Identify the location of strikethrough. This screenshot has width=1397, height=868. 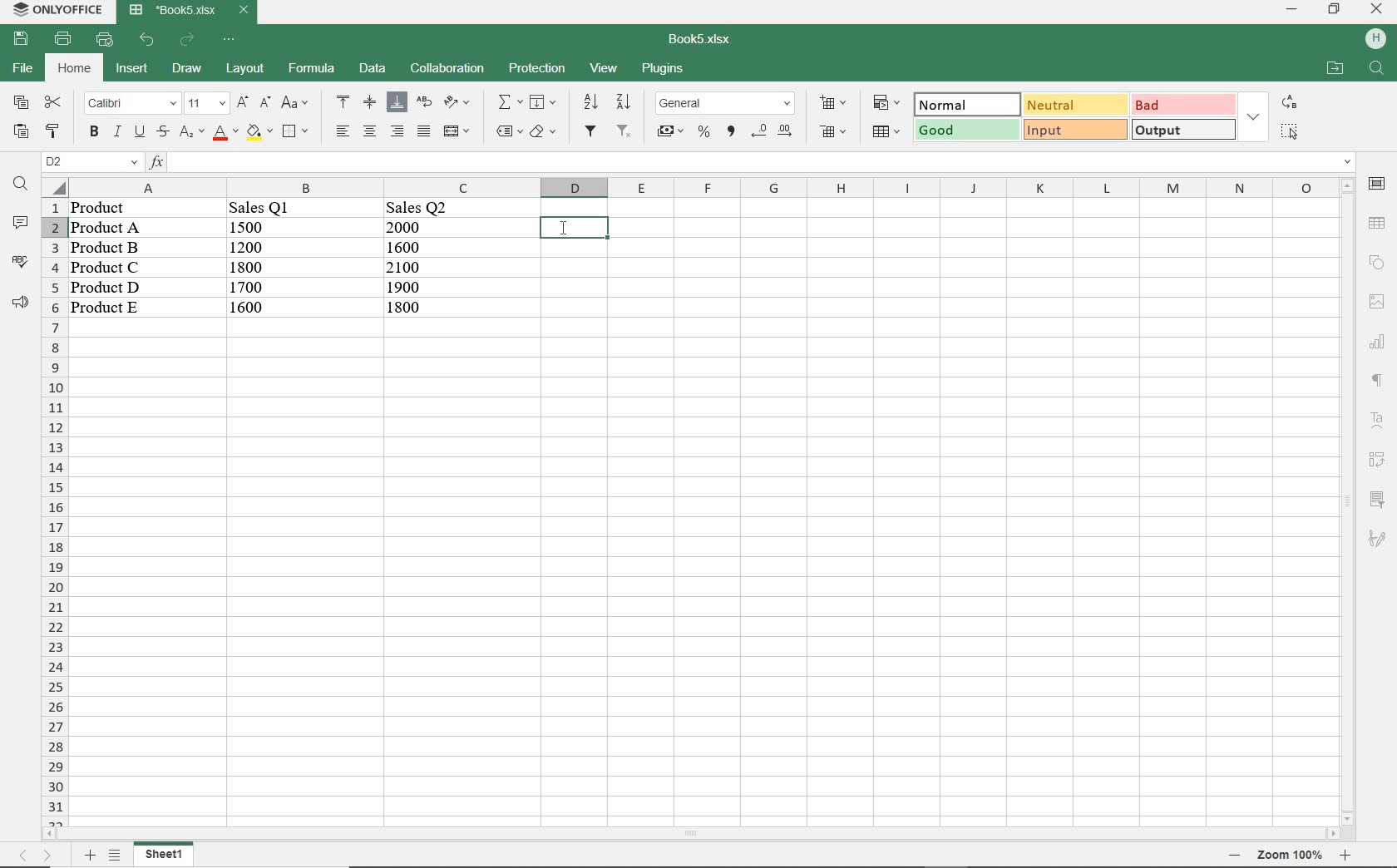
(161, 131).